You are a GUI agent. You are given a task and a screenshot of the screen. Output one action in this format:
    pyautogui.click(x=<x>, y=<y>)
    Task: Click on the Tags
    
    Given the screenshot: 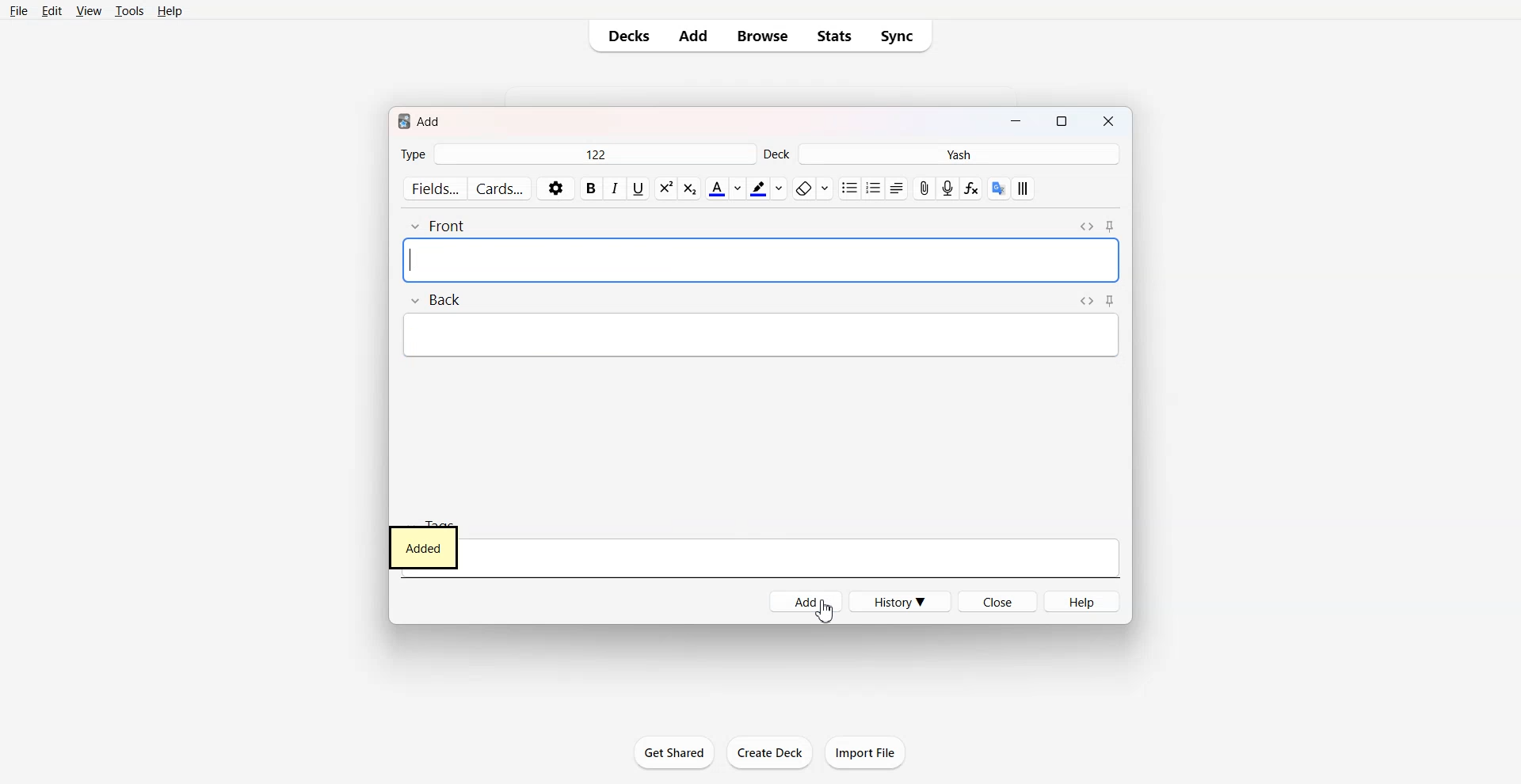 What is the action you would take?
    pyautogui.click(x=795, y=548)
    